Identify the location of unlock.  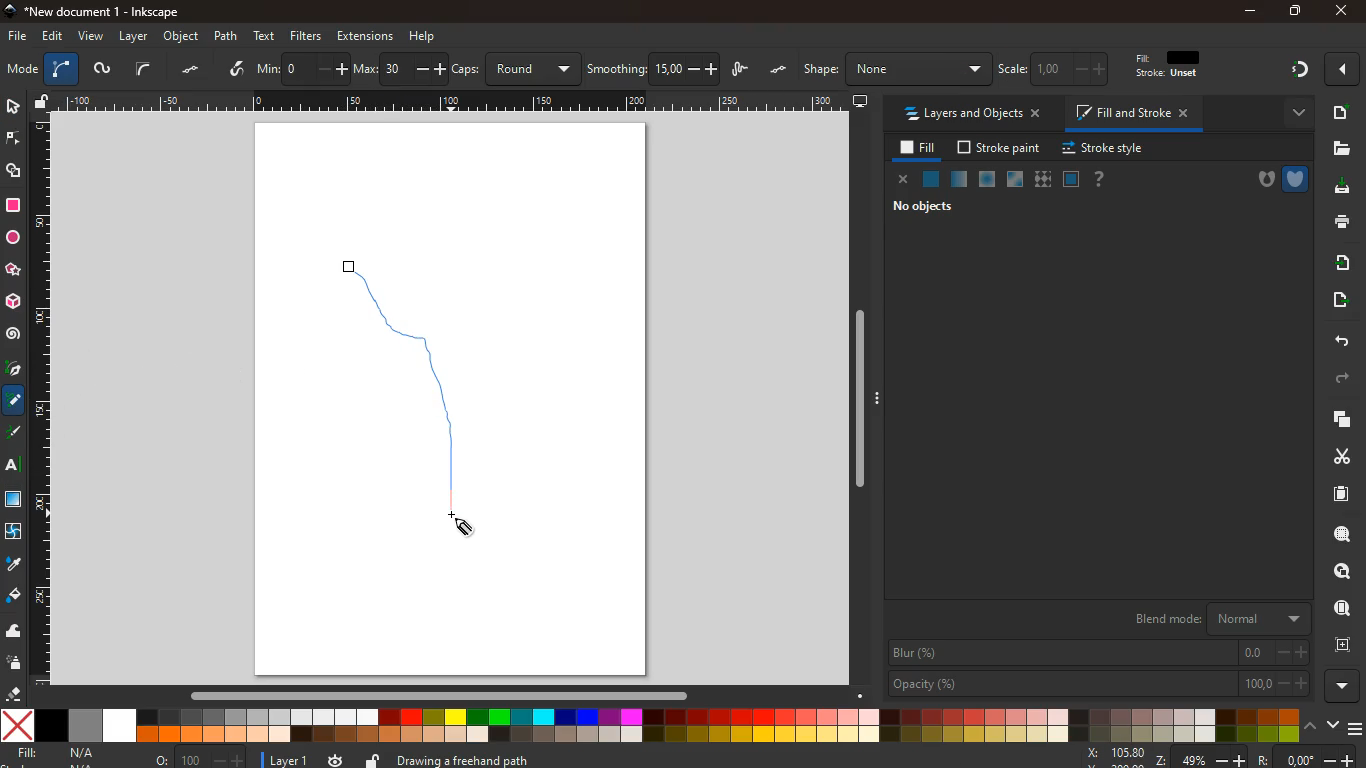
(784, 67).